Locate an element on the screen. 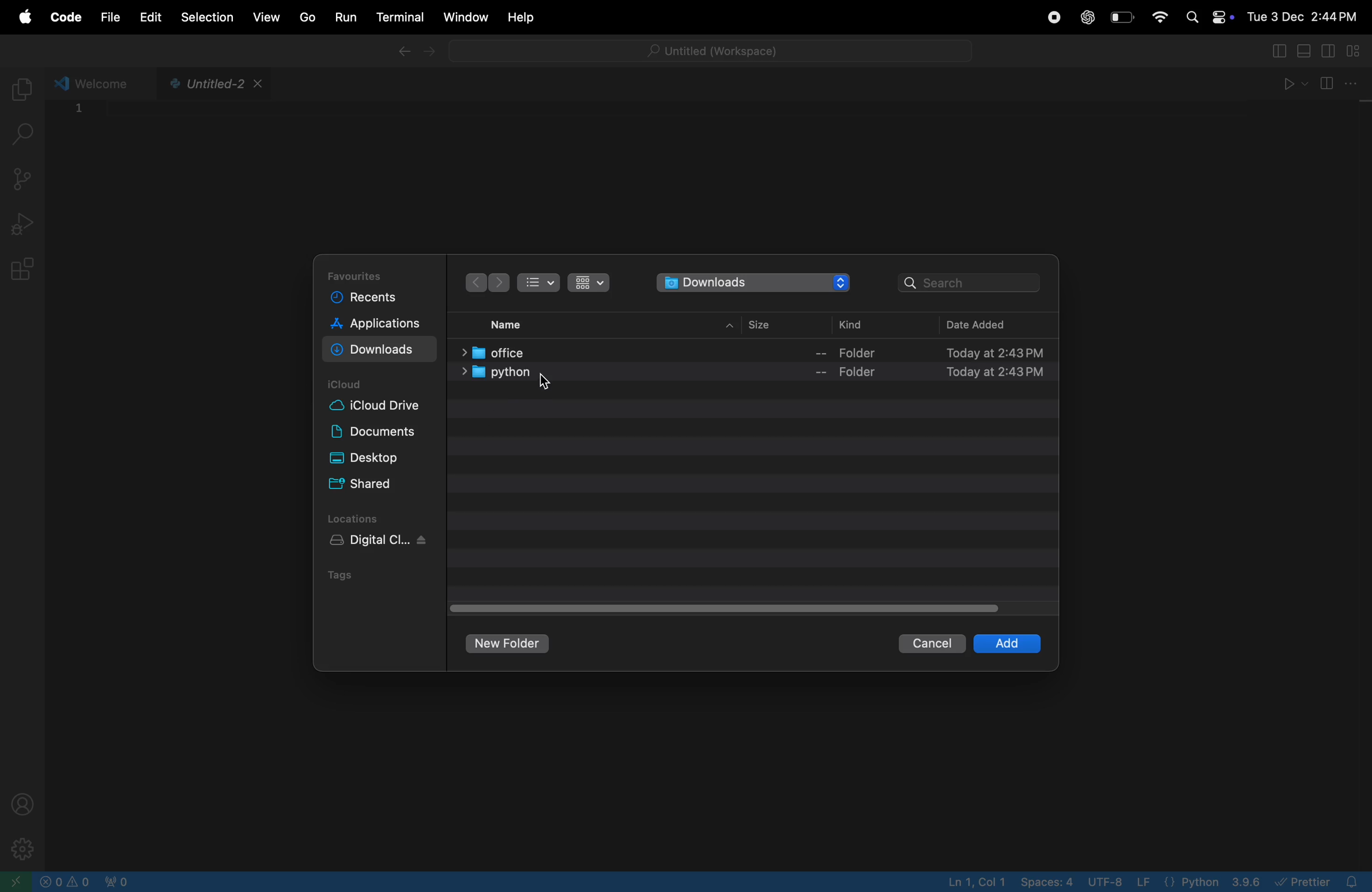 The image size is (1372, 892). file is located at coordinates (110, 20).